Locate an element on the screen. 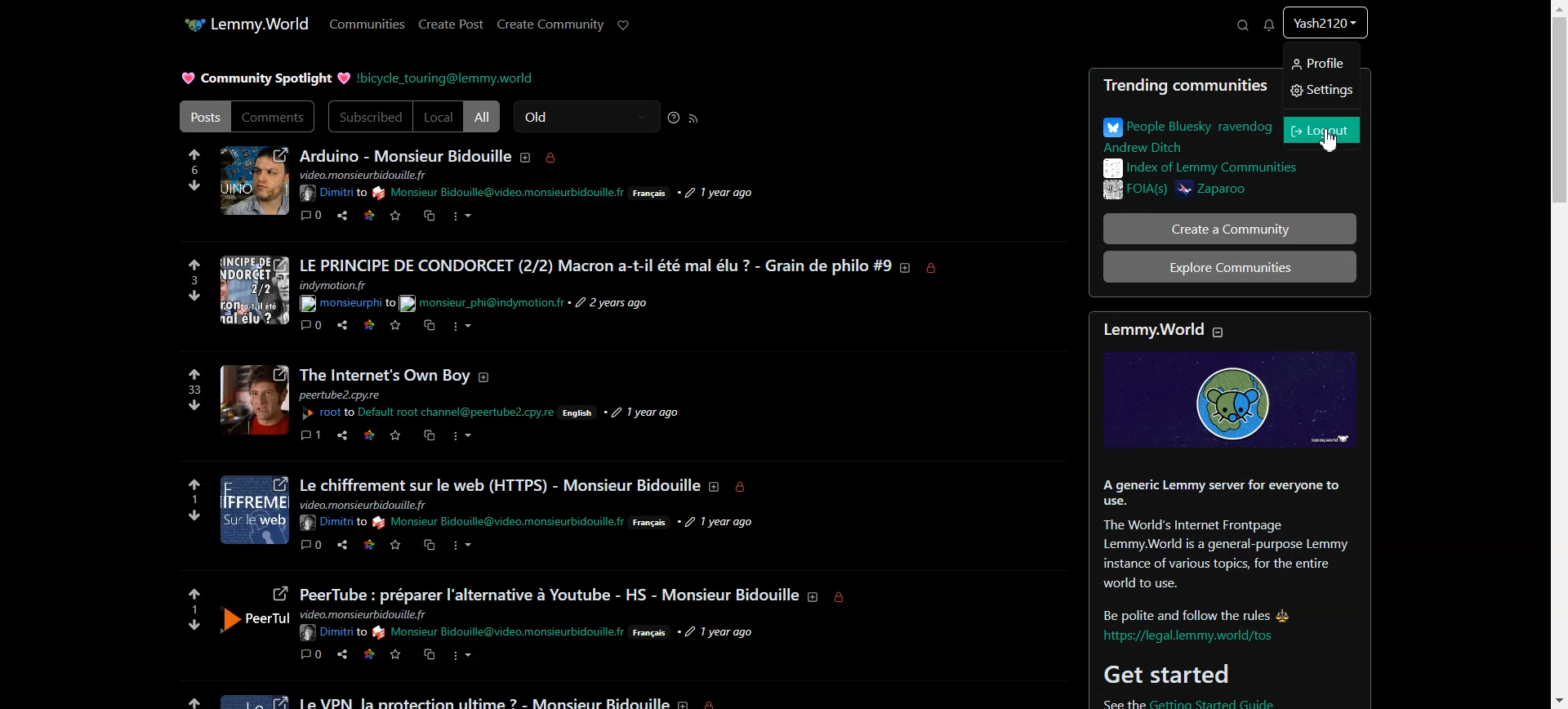  locked is located at coordinates (844, 599).